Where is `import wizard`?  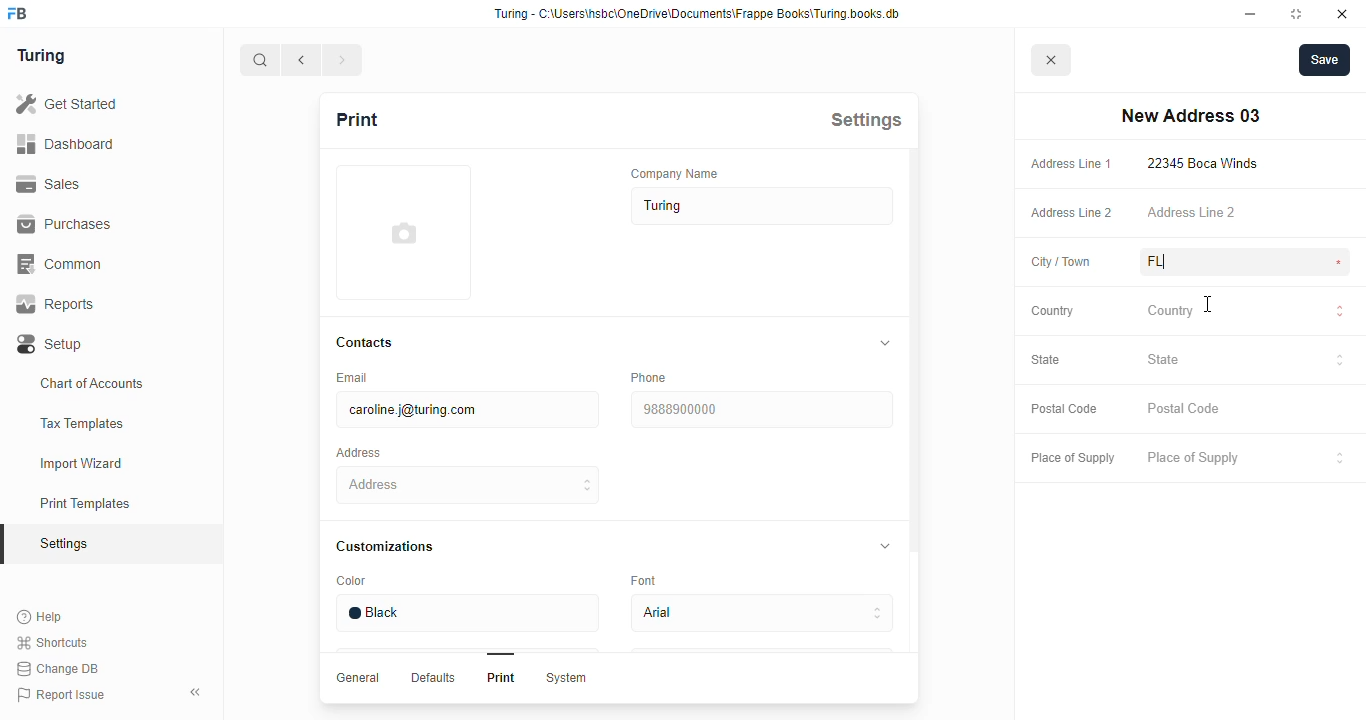 import wizard is located at coordinates (82, 464).